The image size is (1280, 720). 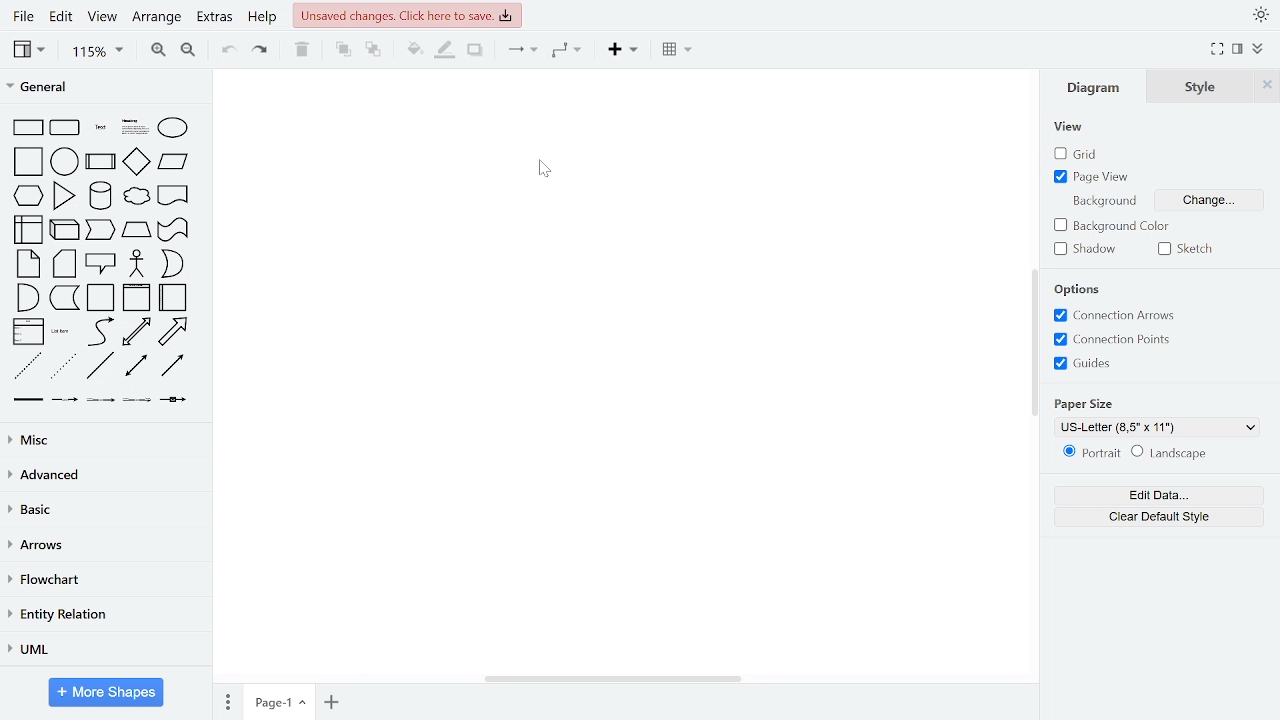 What do you see at coordinates (100, 298) in the screenshot?
I see `container` at bounding box center [100, 298].